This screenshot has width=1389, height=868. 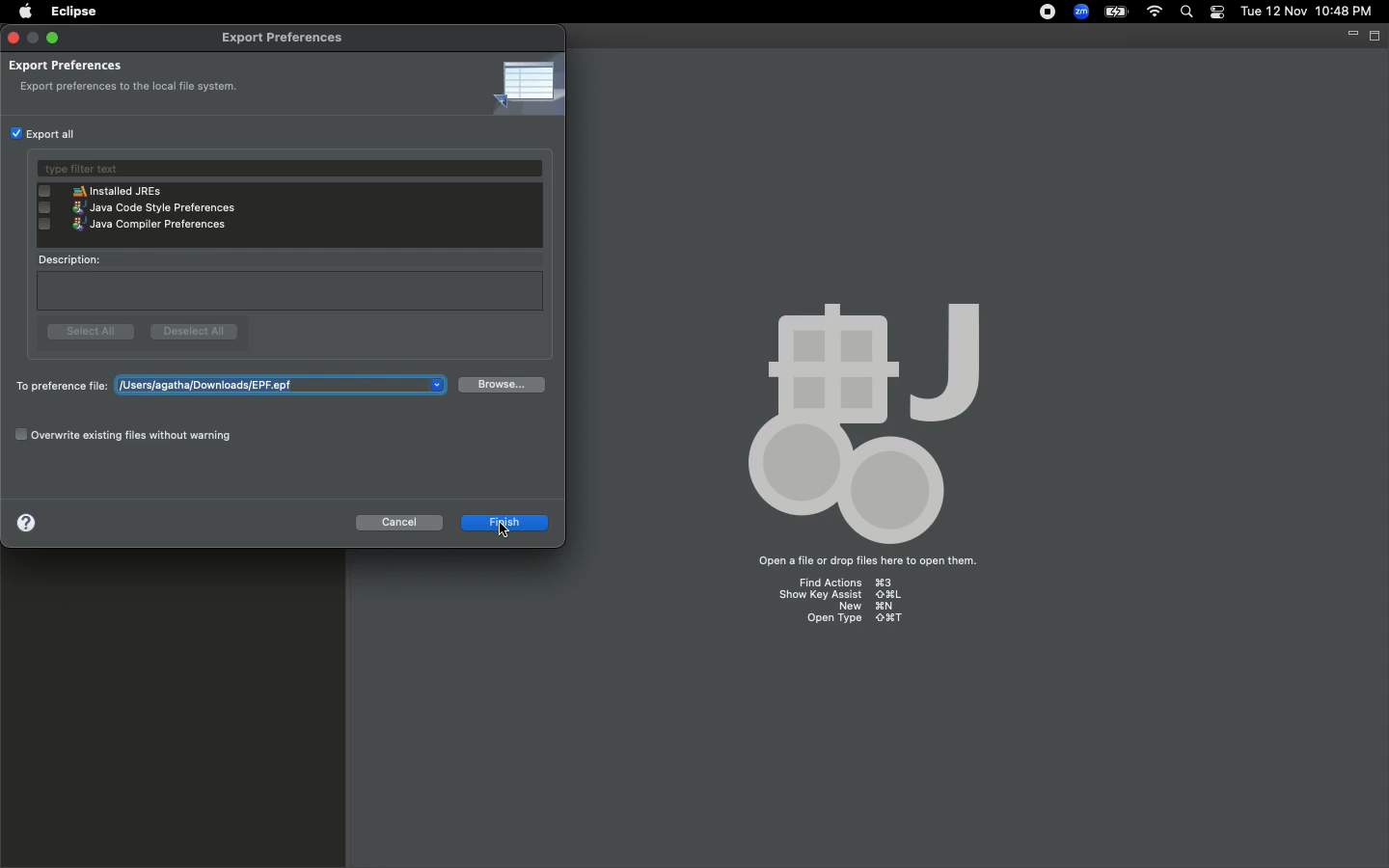 I want to click on Export all, so click(x=48, y=135).